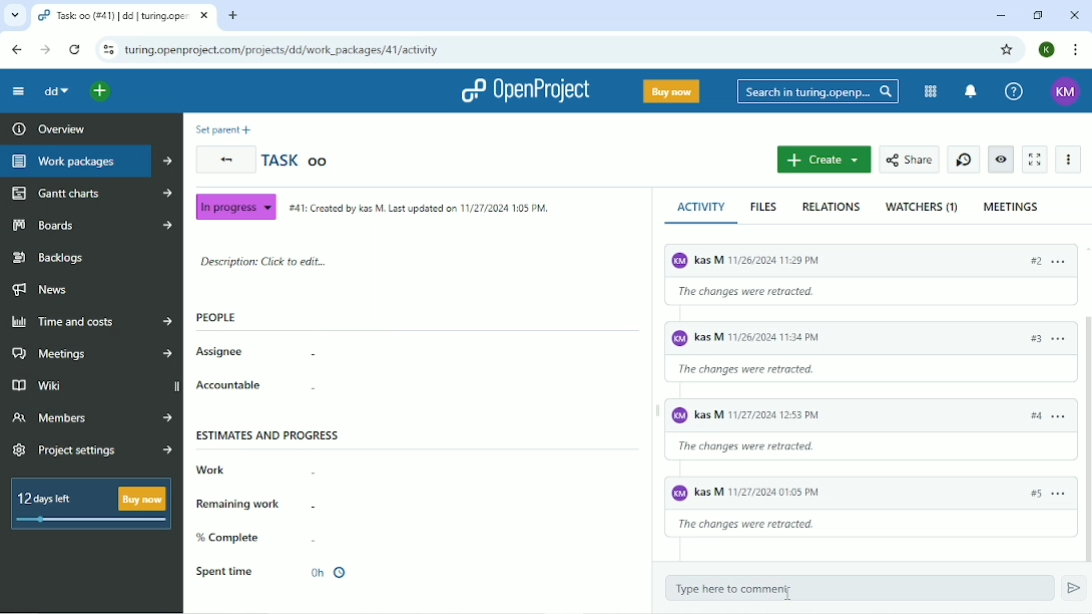 The width and height of the screenshot is (1092, 614). What do you see at coordinates (256, 386) in the screenshot?
I see `Accountable` at bounding box center [256, 386].